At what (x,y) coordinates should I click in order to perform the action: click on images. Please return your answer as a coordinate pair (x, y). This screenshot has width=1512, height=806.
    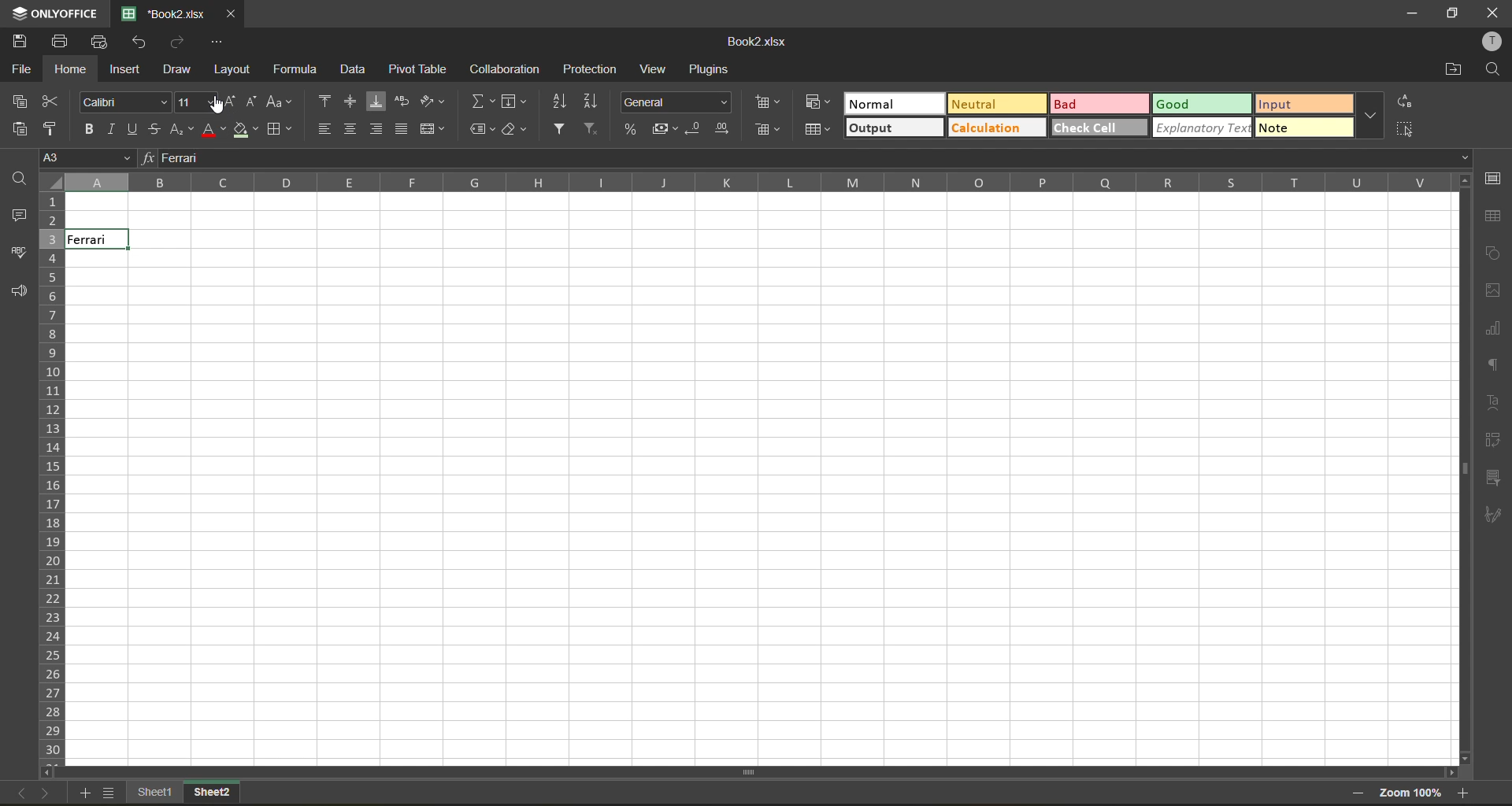
    Looking at the image, I should click on (1494, 290).